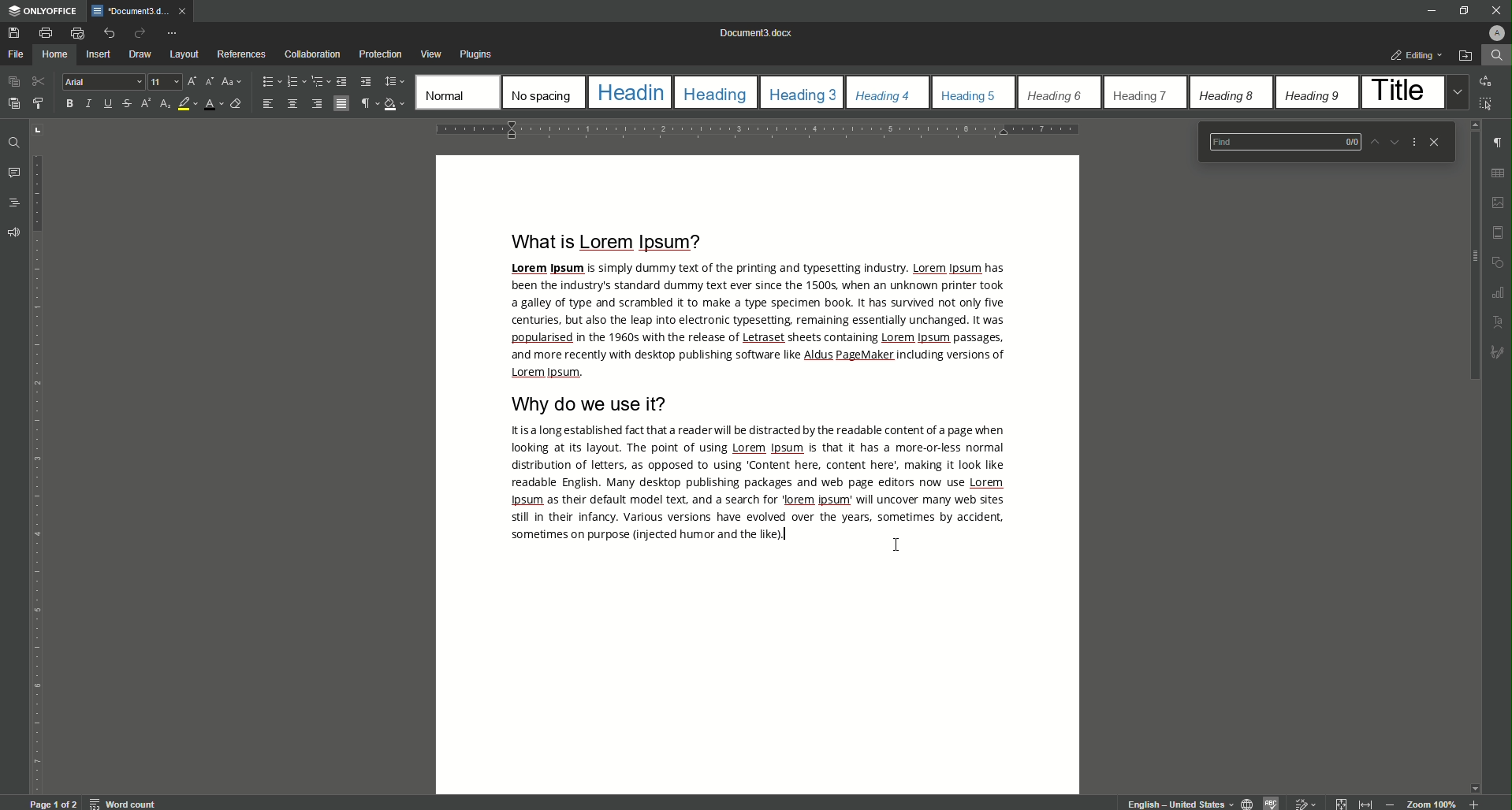 This screenshot has height=810, width=1512. What do you see at coordinates (40, 104) in the screenshot?
I see `Copy style` at bounding box center [40, 104].